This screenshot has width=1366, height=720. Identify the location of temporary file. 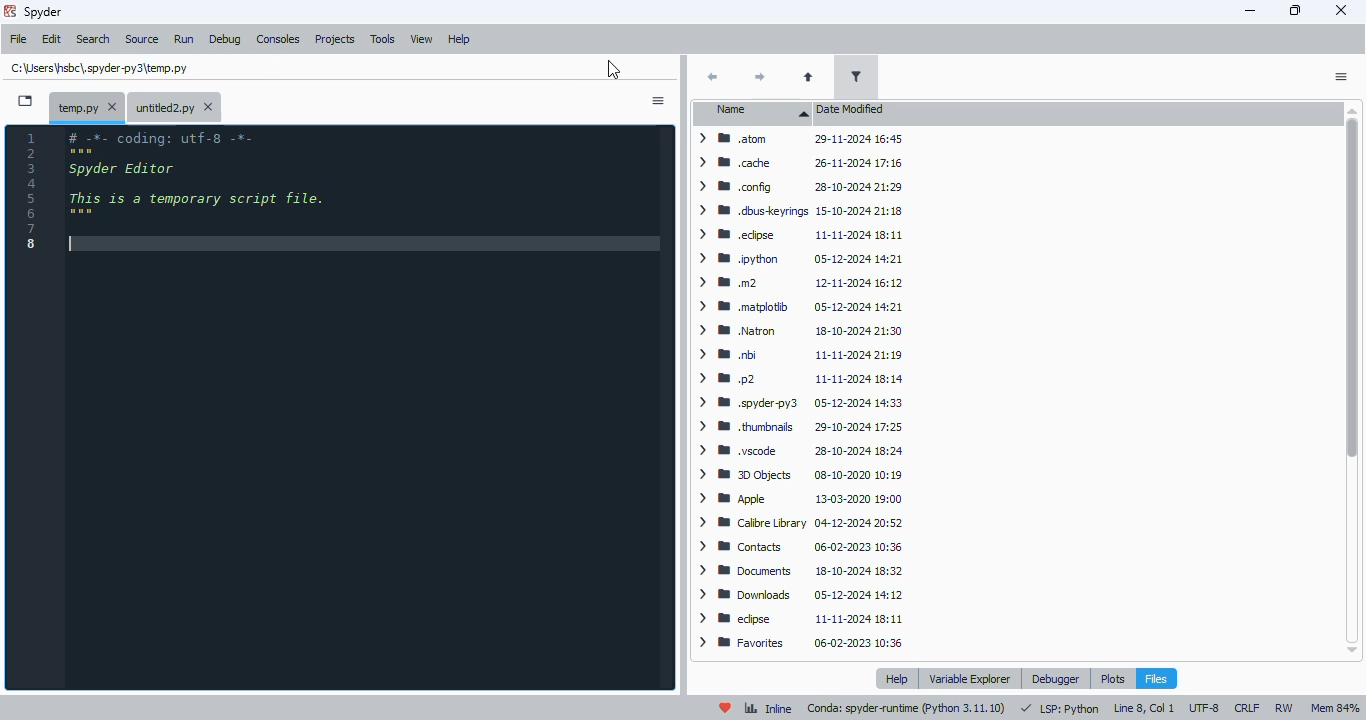
(77, 107).